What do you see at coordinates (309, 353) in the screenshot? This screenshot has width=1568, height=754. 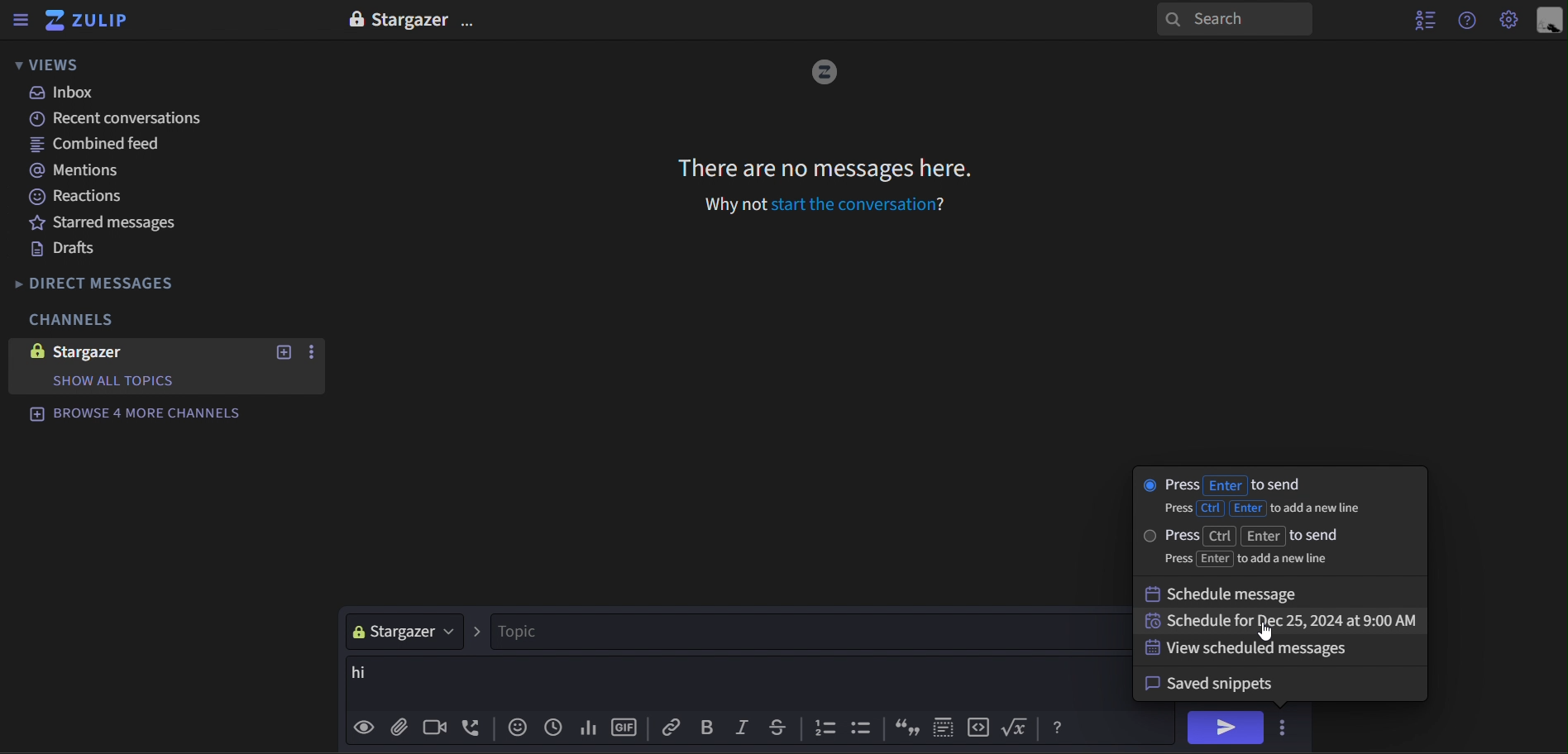 I see `options` at bounding box center [309, 353].